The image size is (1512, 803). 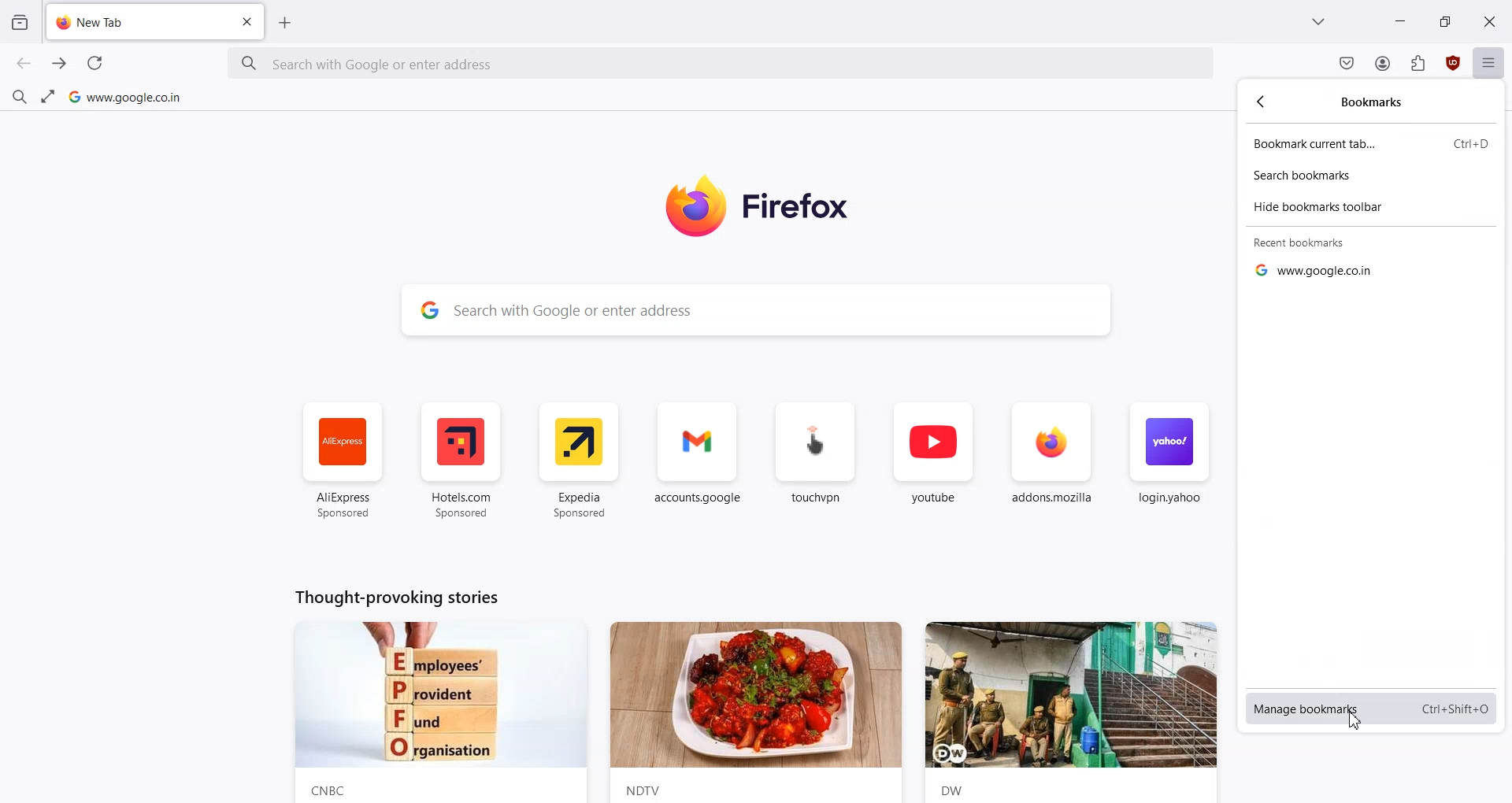 What do you see at coordinates (133, 23) in the screenshot?
I see `New Tab` at bounding box center [133, 23].